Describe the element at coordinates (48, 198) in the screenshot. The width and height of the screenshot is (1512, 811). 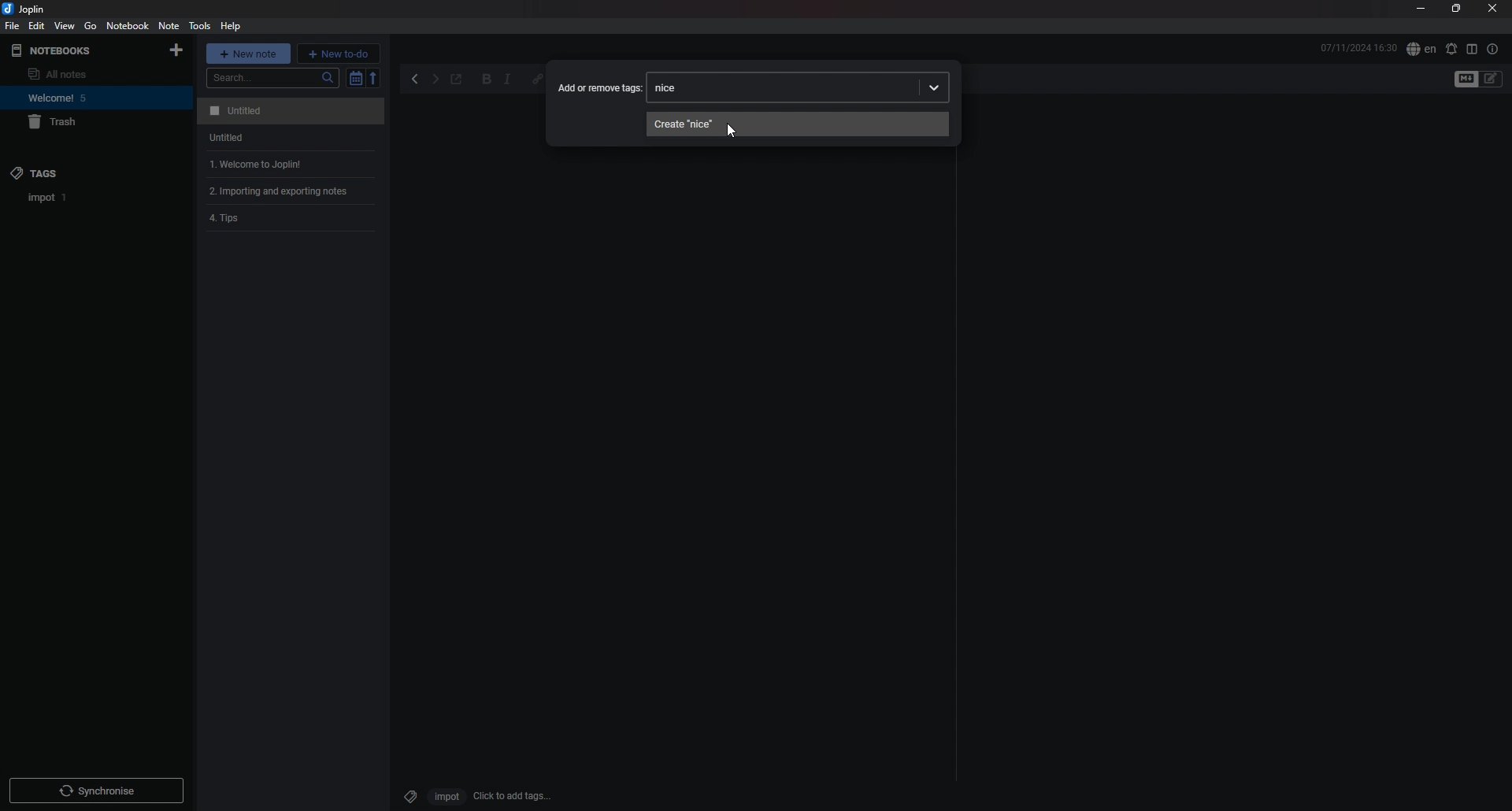
I see `tag` at that location.